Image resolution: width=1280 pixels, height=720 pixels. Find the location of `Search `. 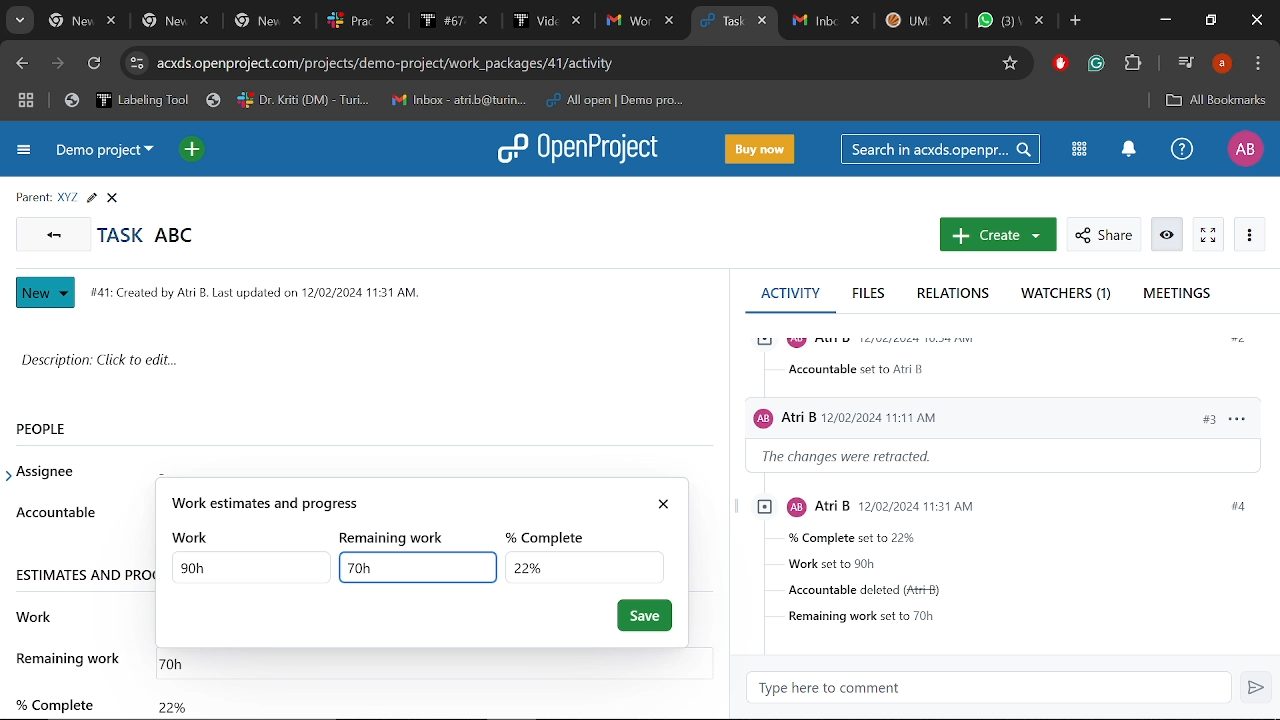

Search  is located at coordinates (943, 149).